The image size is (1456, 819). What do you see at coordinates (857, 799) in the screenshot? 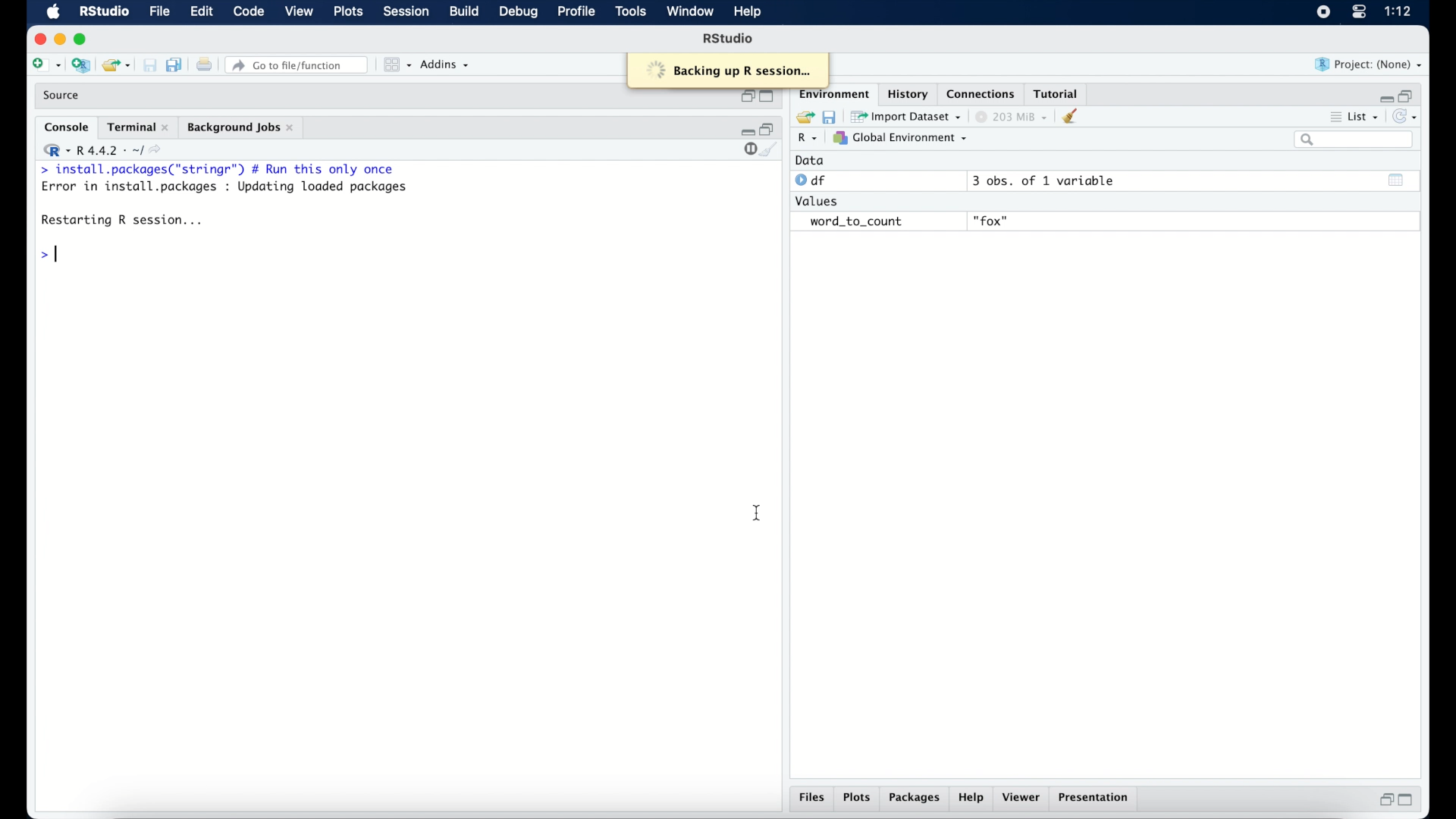
I see `plots` at bounding box center [857, 799].